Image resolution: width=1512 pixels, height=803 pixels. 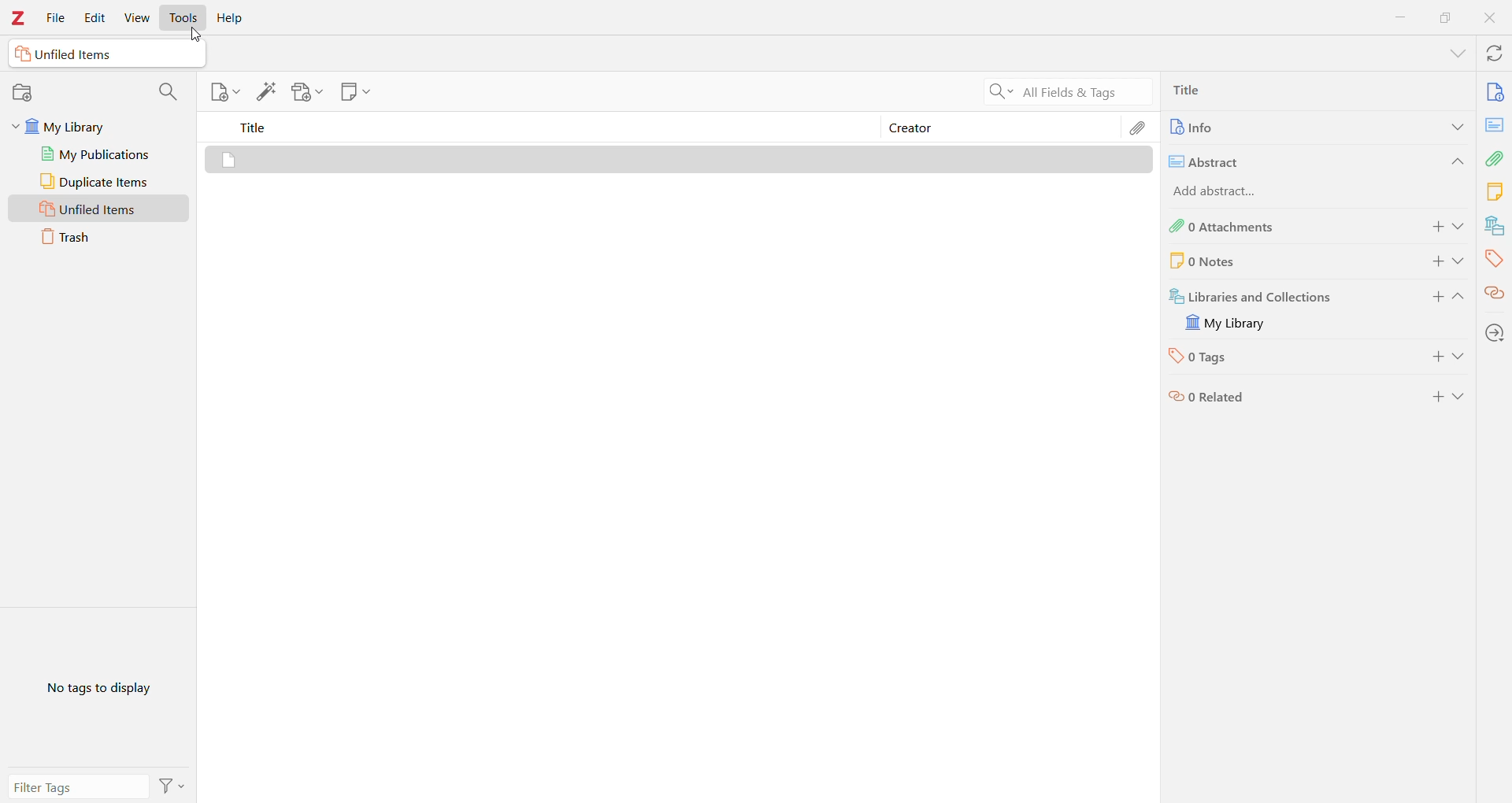 I want to click on Help, so click(x=232, y=20).